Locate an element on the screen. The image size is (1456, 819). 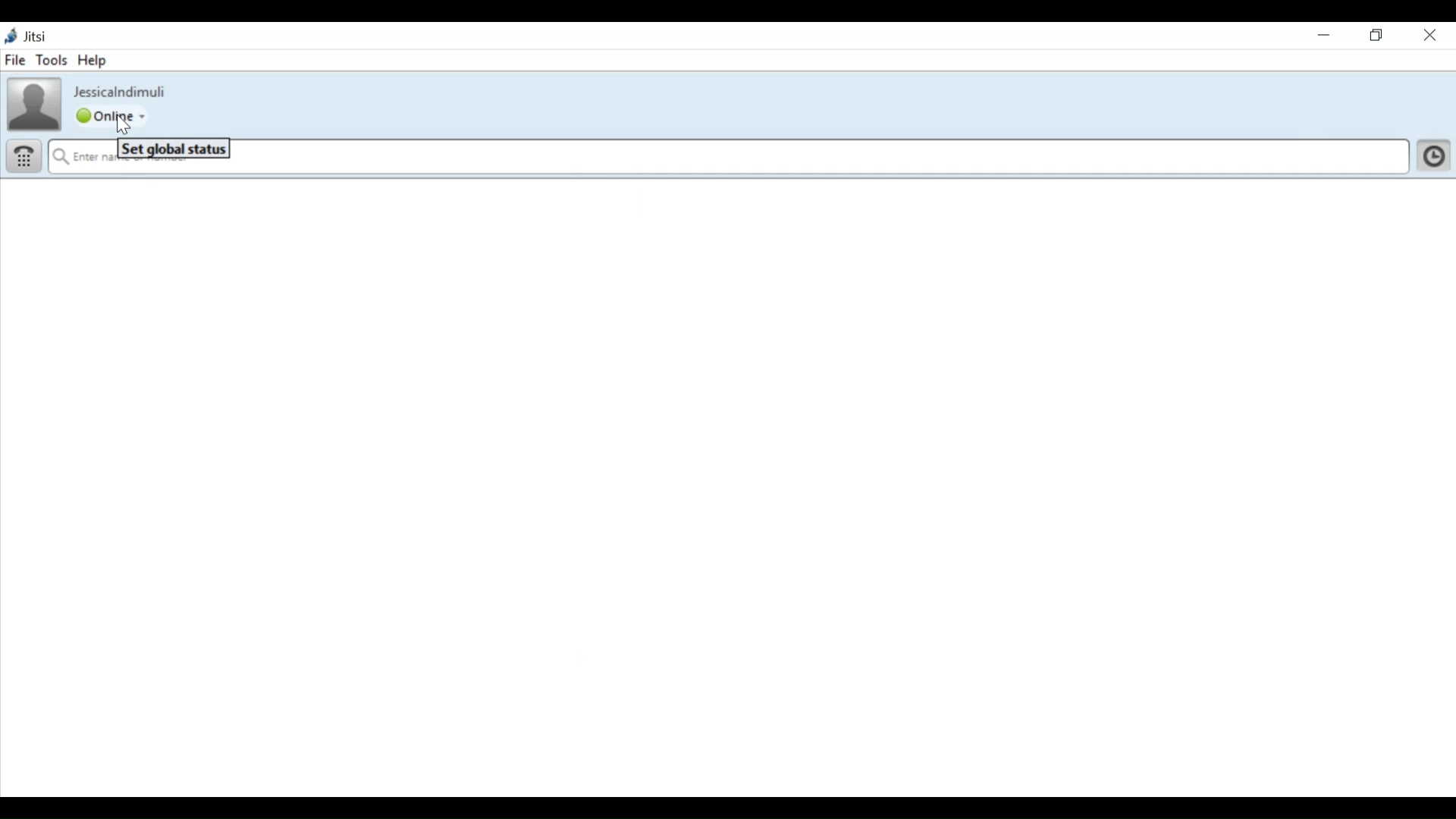
Tools is located at coordinates (51, 61).